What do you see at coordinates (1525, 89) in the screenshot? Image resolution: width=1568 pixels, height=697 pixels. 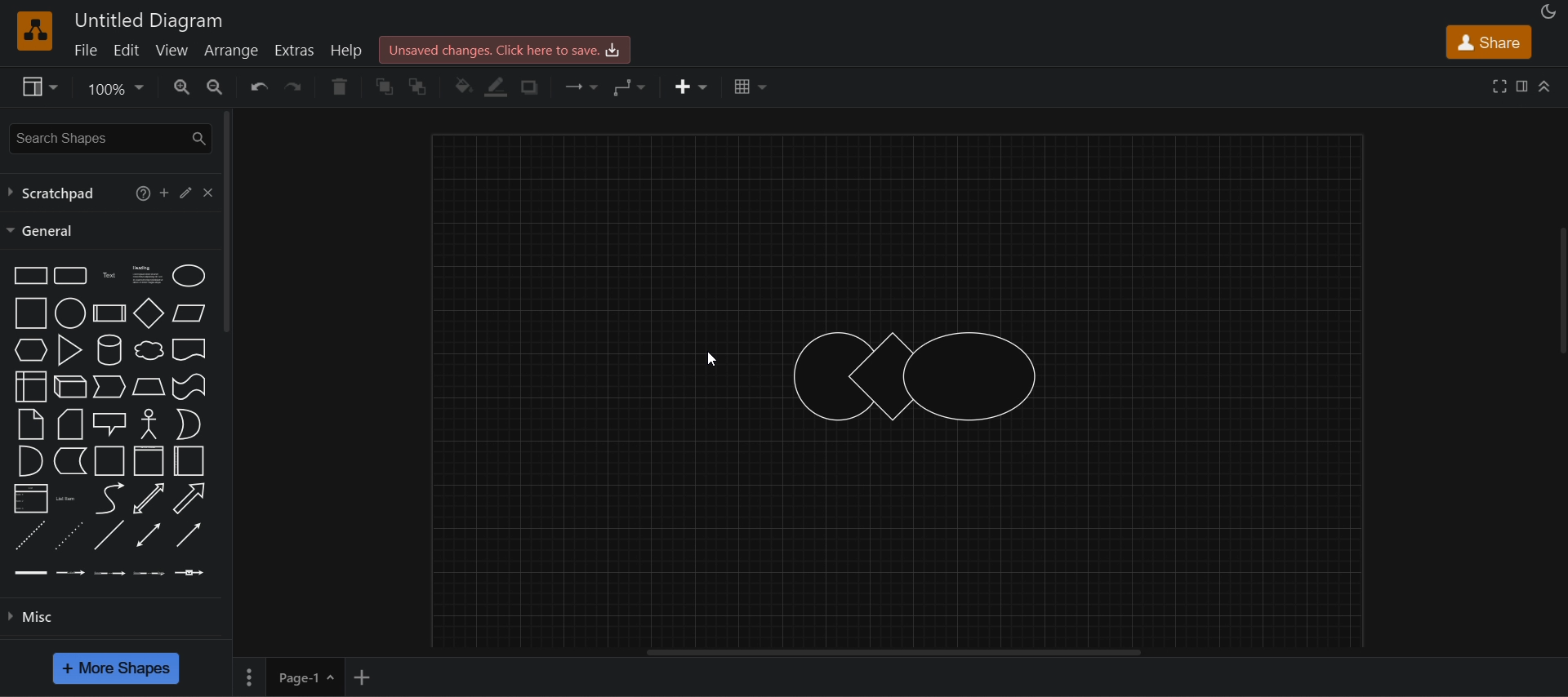 I see `format` at bounding box center [1525, 89].